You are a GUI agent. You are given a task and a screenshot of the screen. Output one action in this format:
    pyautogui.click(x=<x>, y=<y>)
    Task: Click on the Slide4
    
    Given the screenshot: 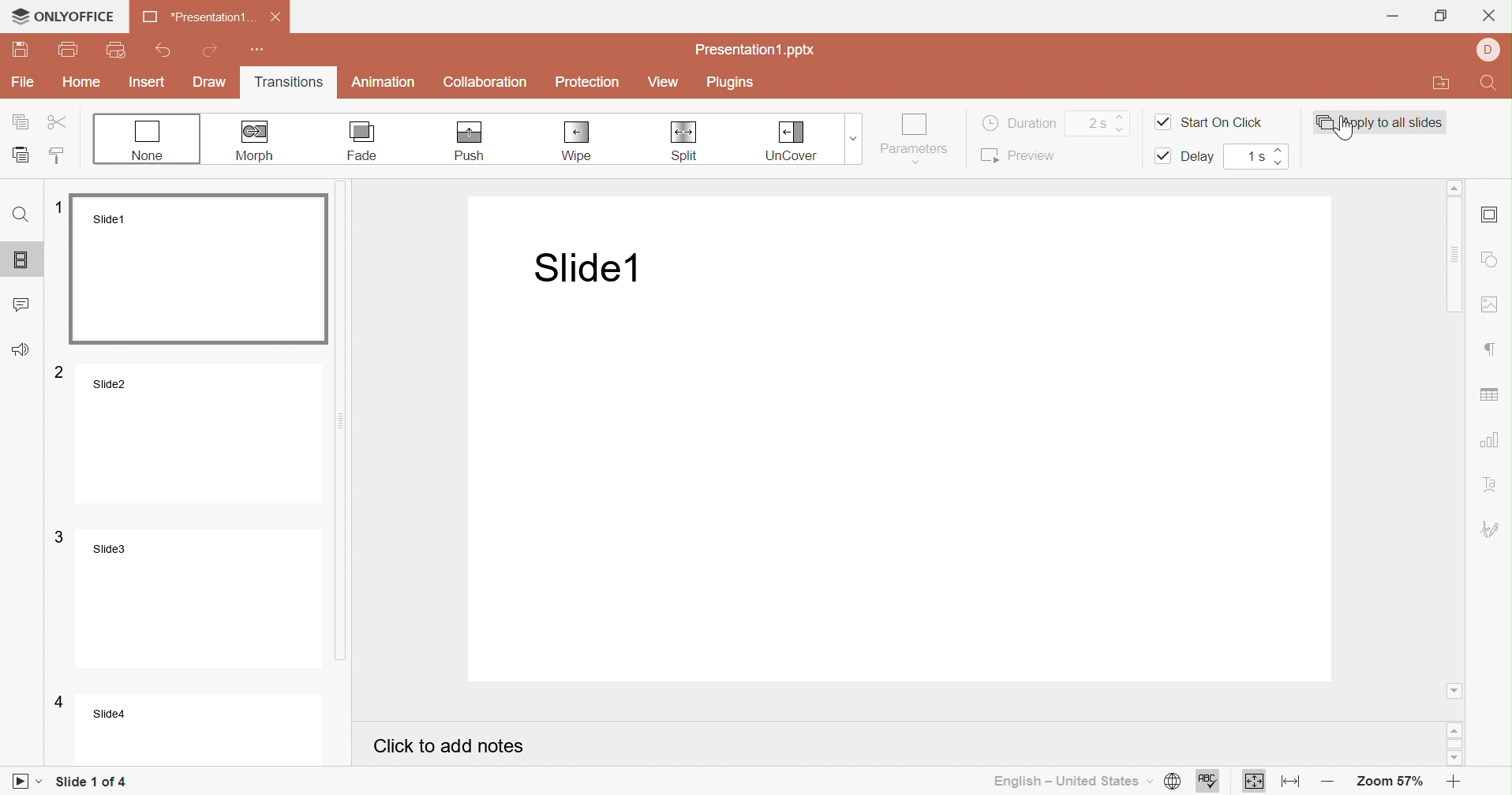 What is the action you would take?
    pyautogui.click(x=206, y=731)
    